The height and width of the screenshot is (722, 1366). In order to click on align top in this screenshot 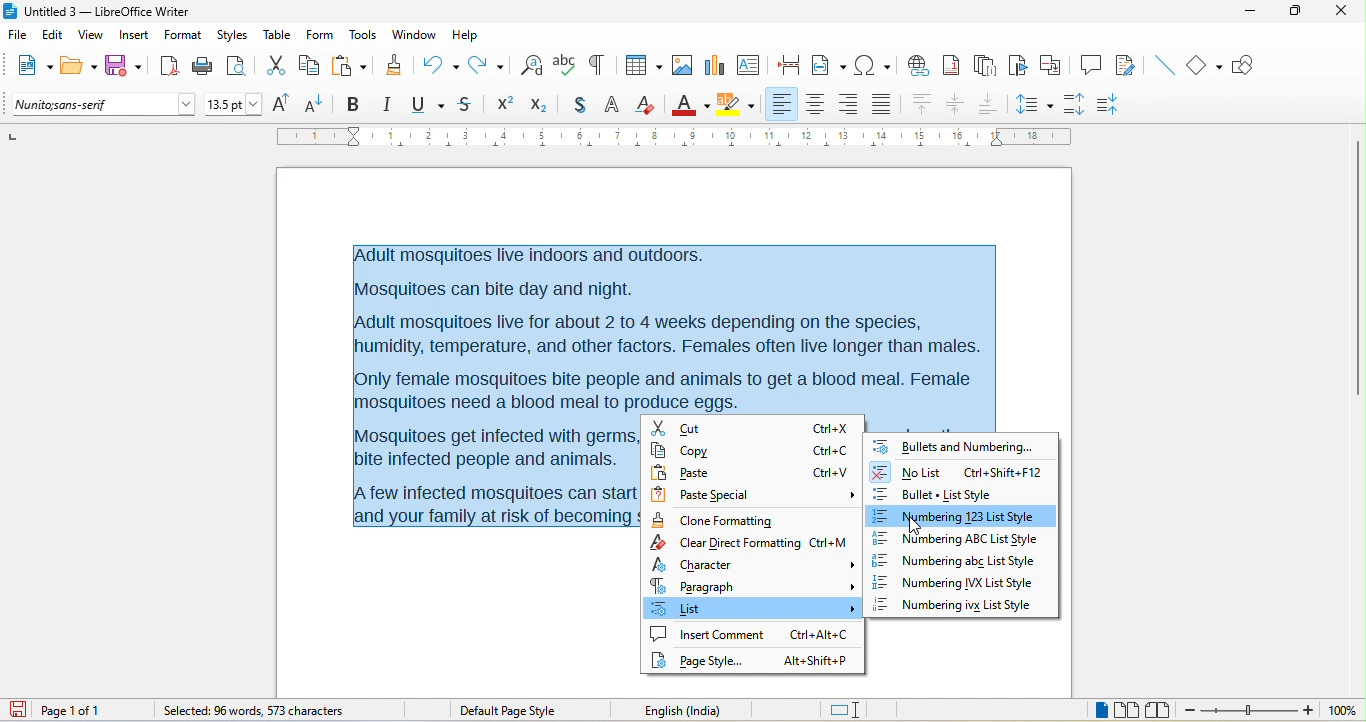, I will do `click(921, 105)`.